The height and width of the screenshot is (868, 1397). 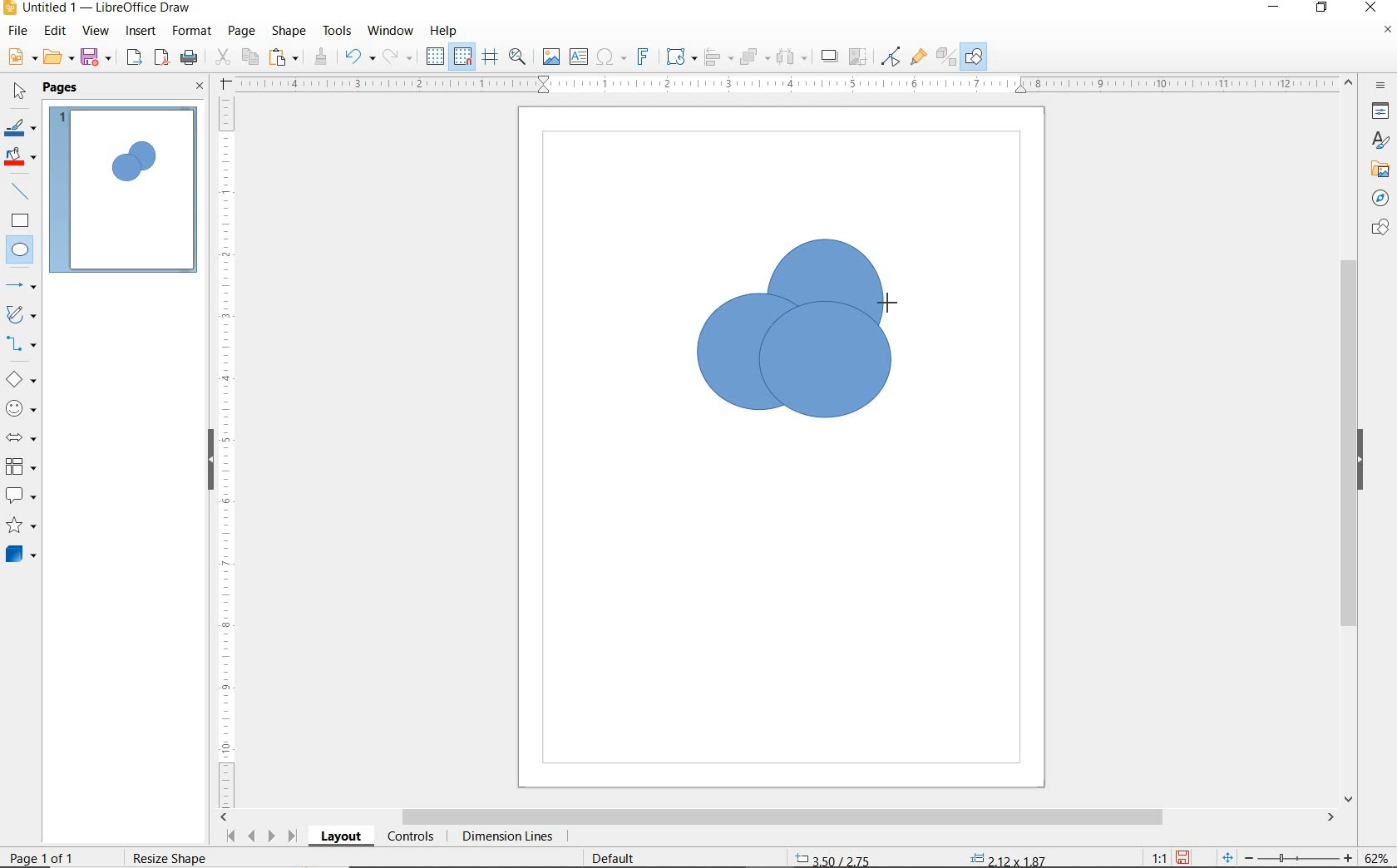 I want to click on ELLIPSE TOOL, so click(x=887, y=301).